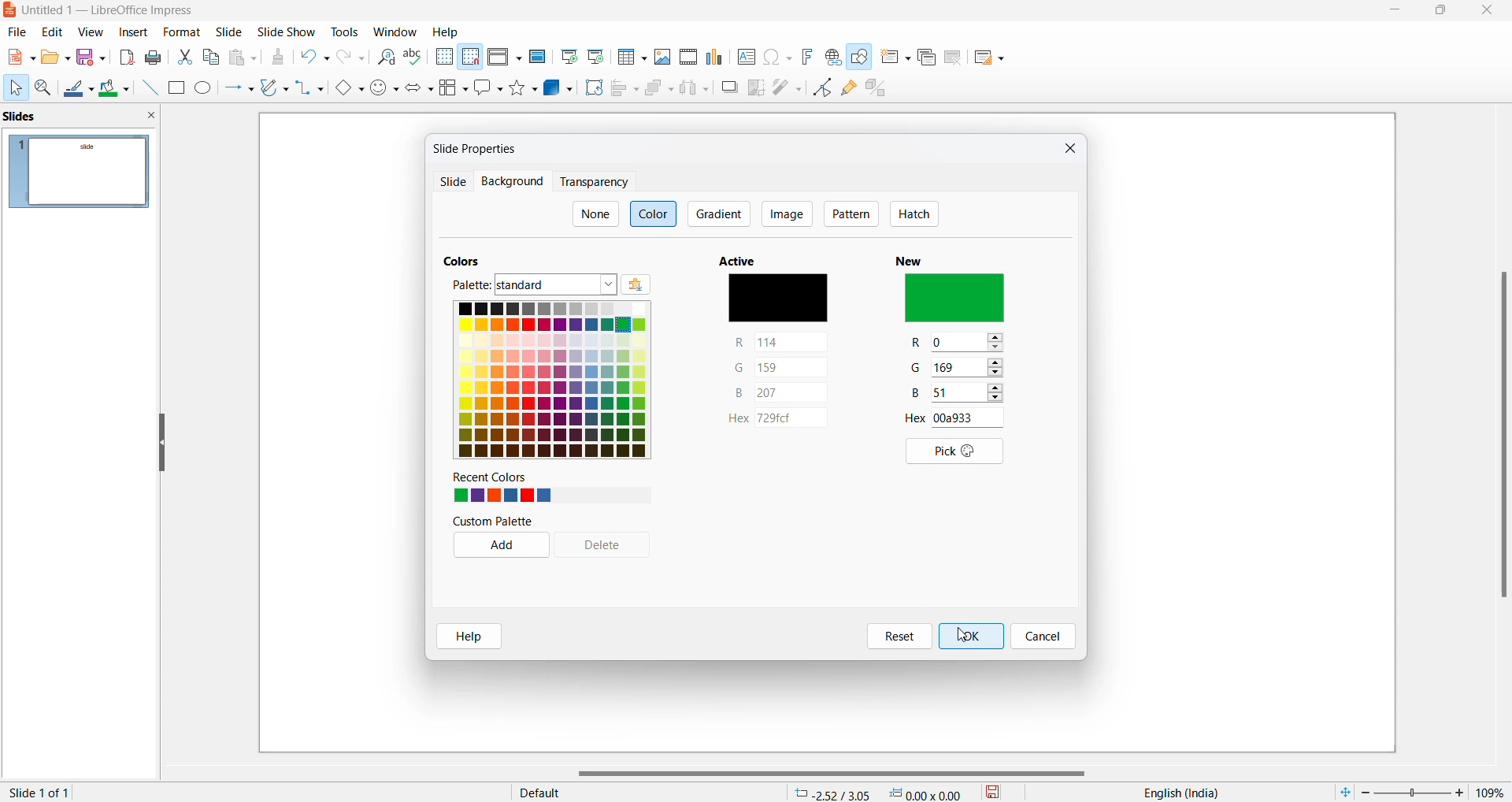 Image resolution: width=1512 pixels, height=802 pixels. I want to click on close, so click(1490, 11).